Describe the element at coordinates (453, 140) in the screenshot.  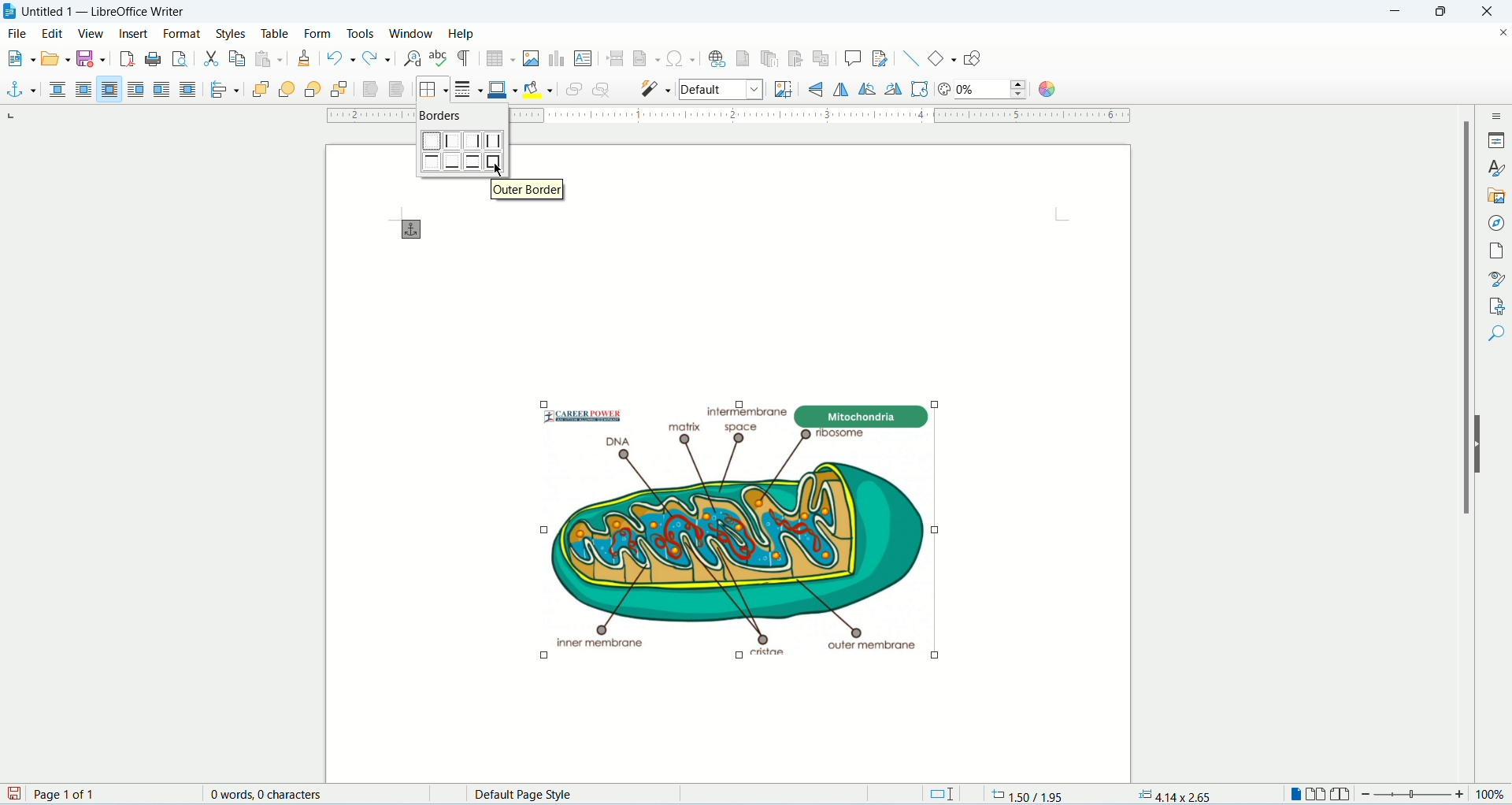
I see `left border` at that location.